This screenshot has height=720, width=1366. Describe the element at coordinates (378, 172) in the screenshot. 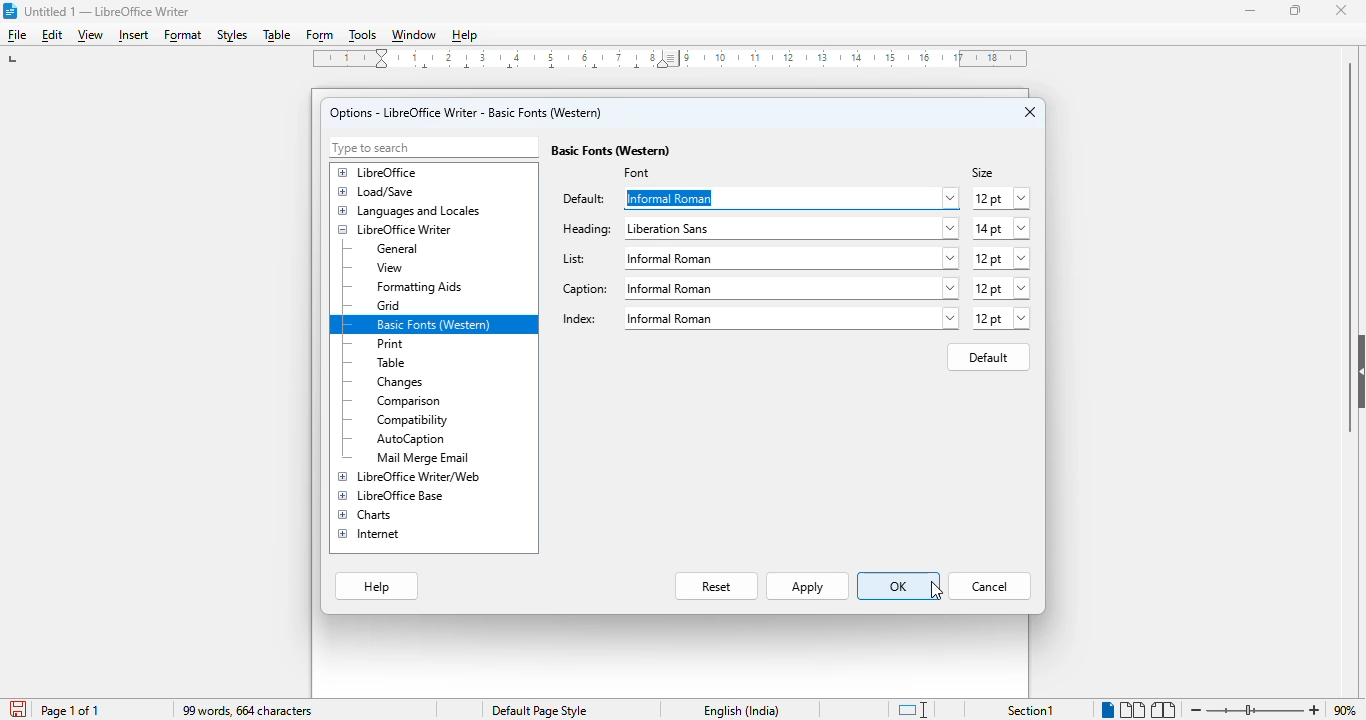

I see `libreOffice` at that location.